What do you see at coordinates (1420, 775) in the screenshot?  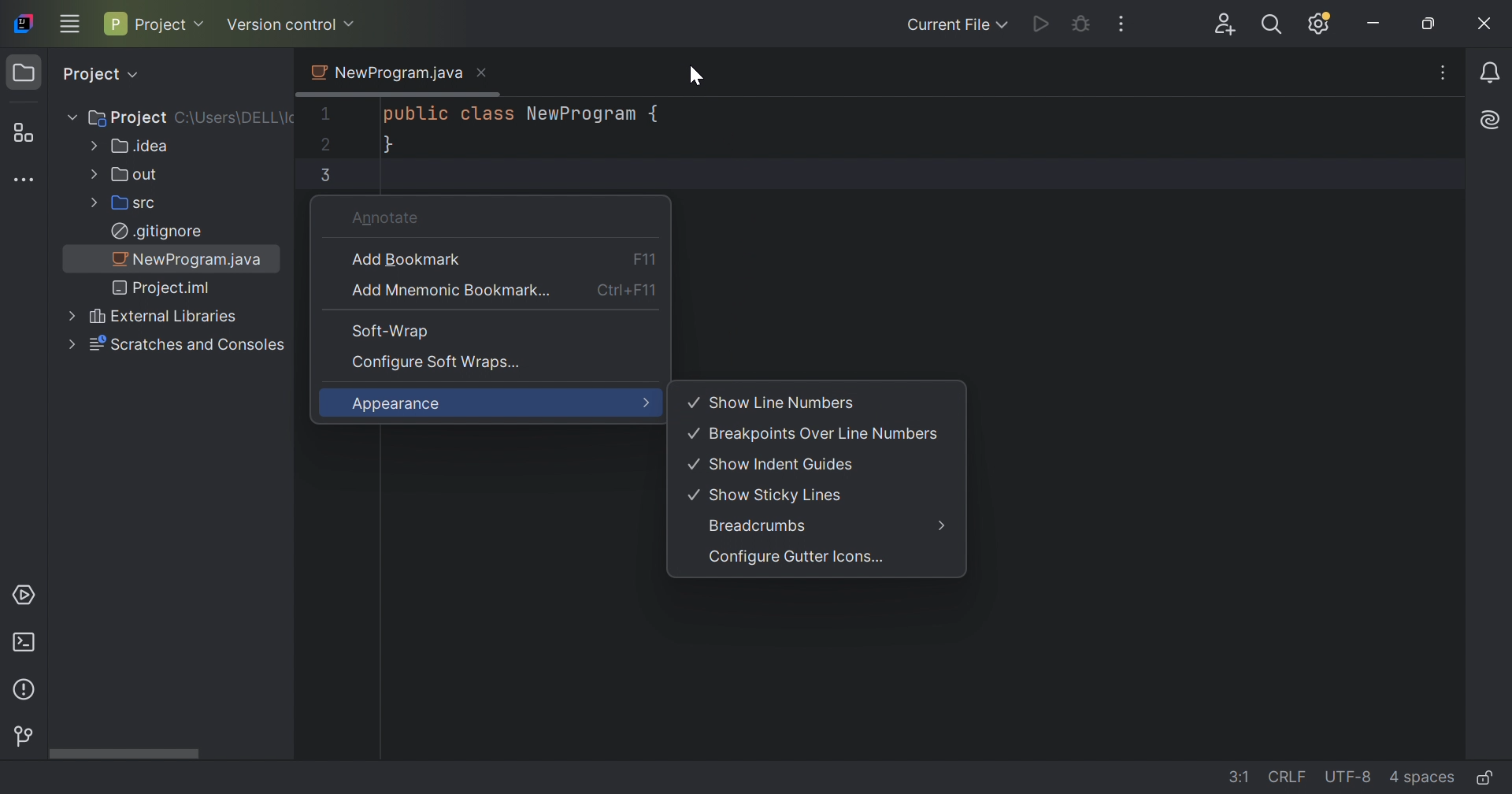 I see `4 spaces` at bounding box center [1420, 775].